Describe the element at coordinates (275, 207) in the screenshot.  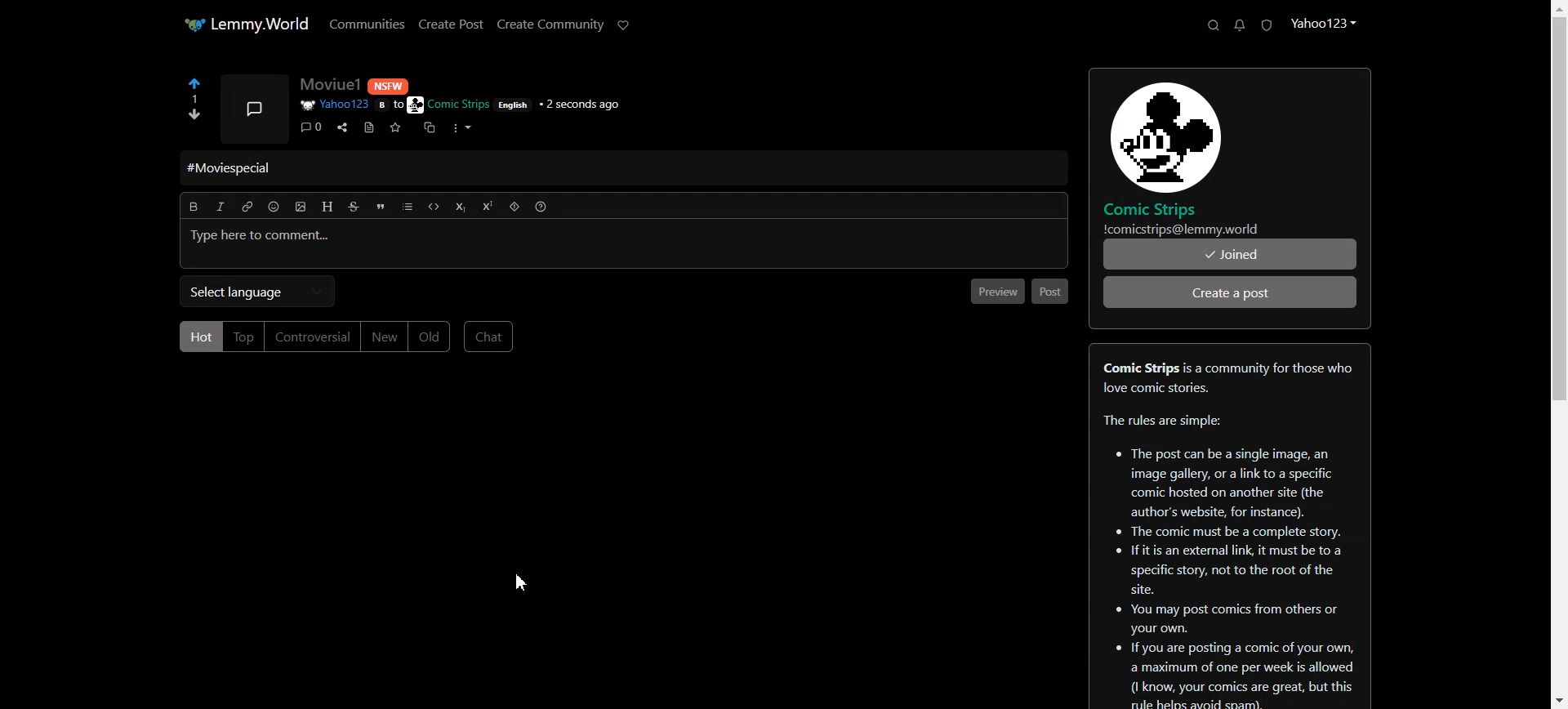
I see `Insert Emoji` at that location.